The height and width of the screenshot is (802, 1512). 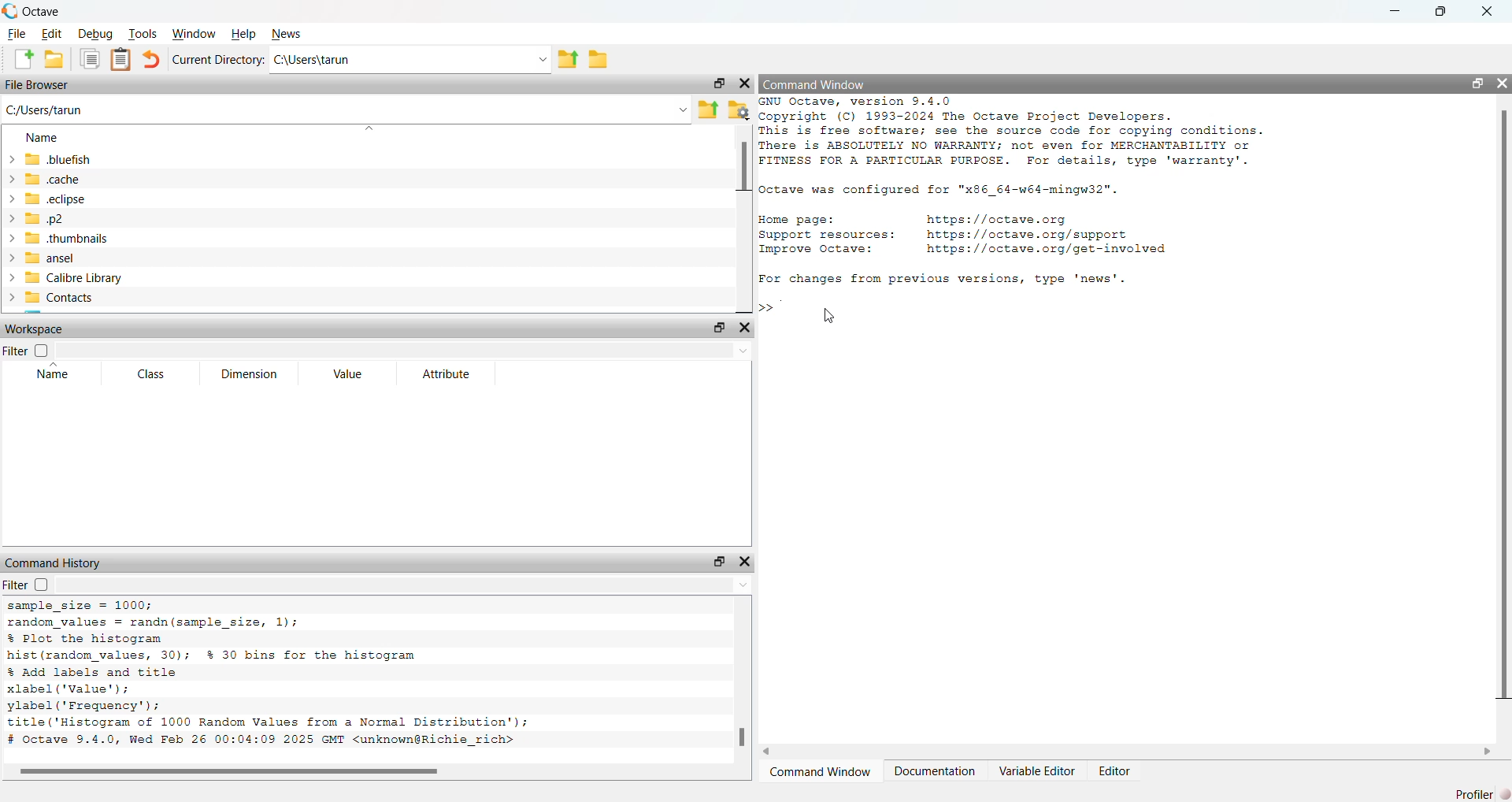 I want to click on News, so click(x=291, y=35).